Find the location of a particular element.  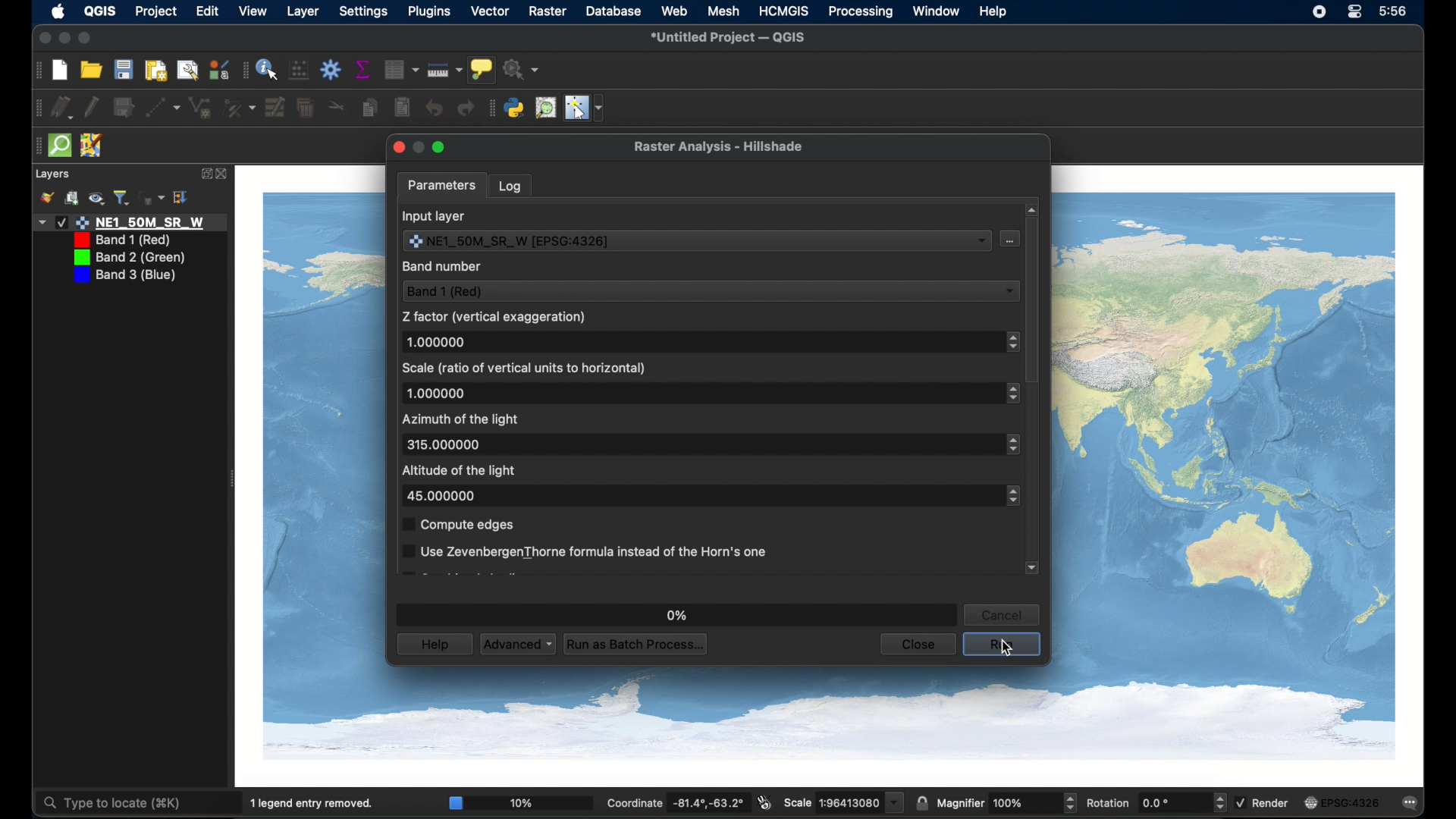

type to locate is located at coordinates (111, 804).